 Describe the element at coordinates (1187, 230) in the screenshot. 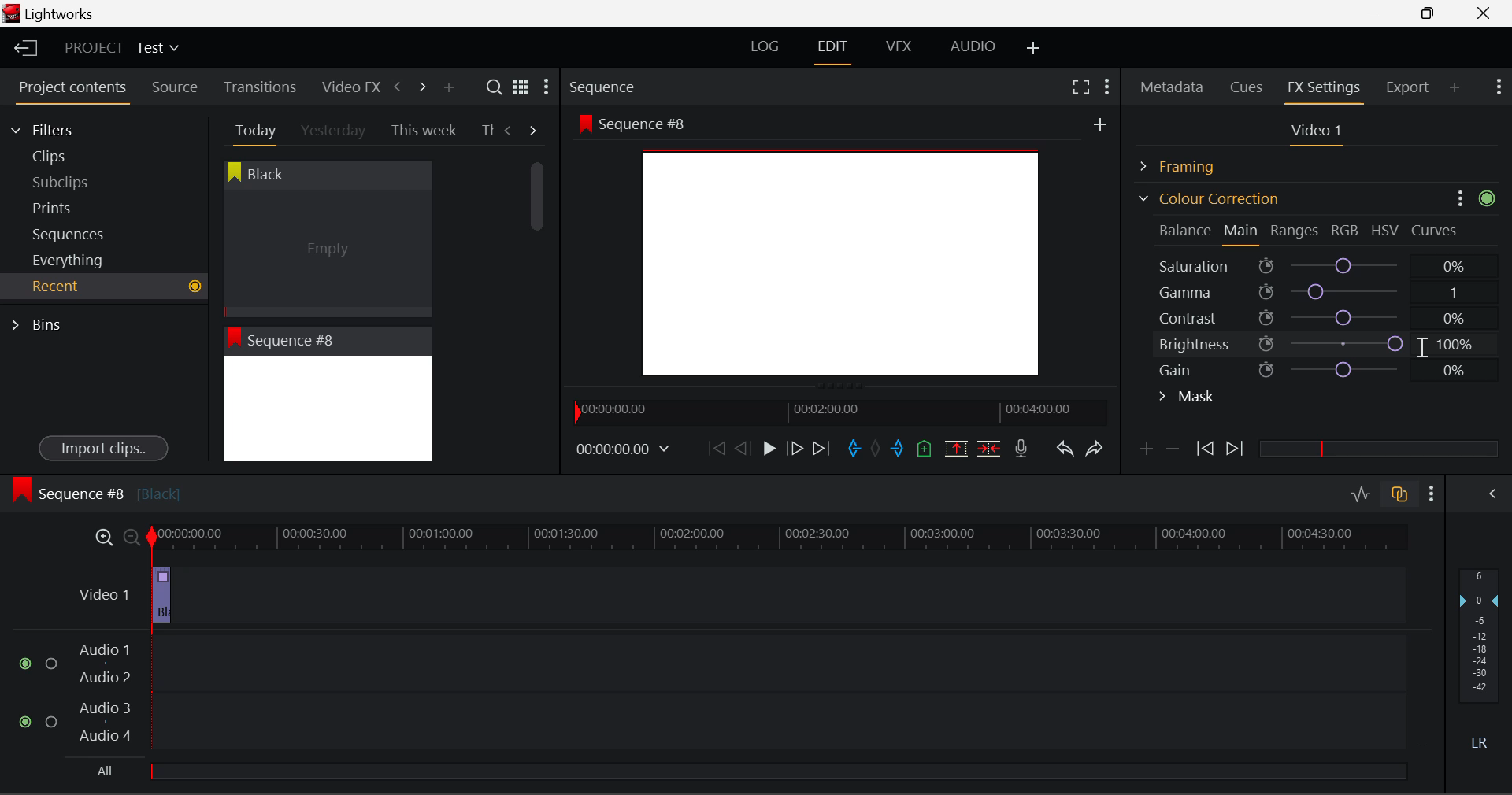

I see `Balance Section` at that location.